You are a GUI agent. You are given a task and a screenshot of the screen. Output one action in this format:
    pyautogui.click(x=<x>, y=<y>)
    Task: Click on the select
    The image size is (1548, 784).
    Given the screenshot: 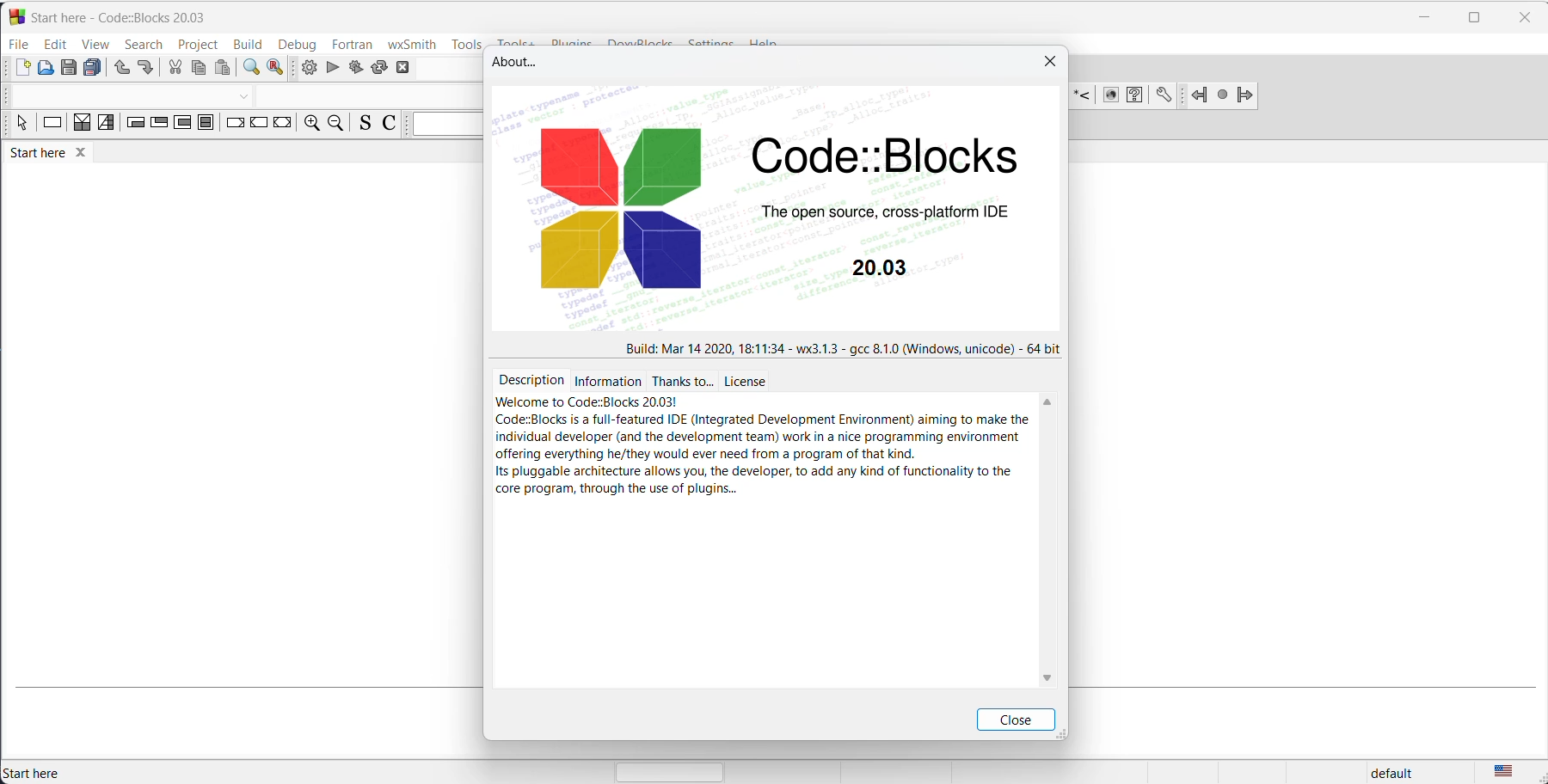 What is the action you would take?
    pyautogui.click(x=16, y=124)
    